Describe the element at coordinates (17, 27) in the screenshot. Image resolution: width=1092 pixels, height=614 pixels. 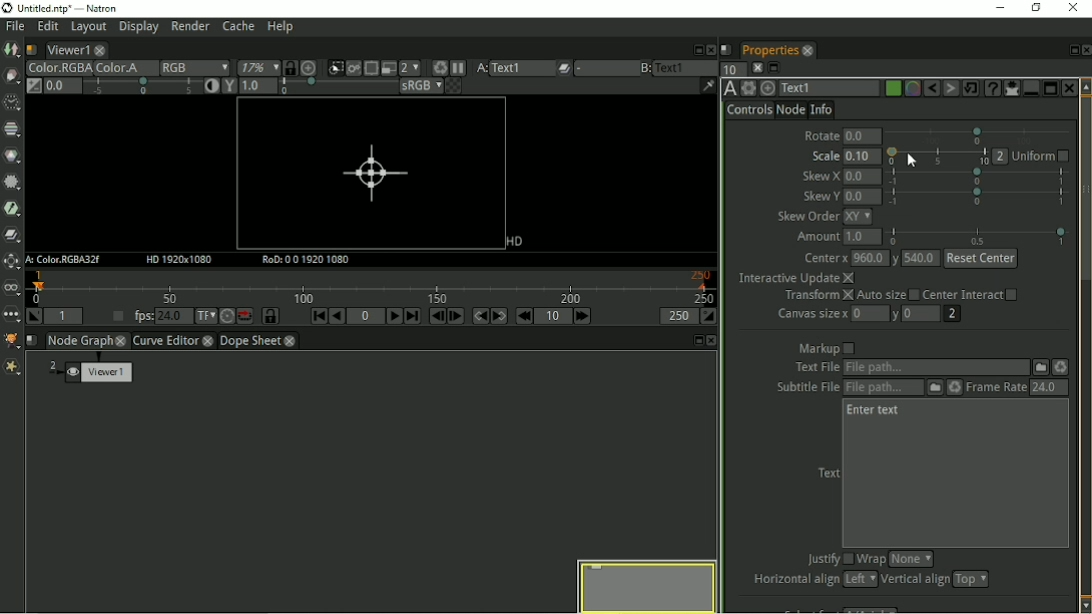
I see `File` at that location.